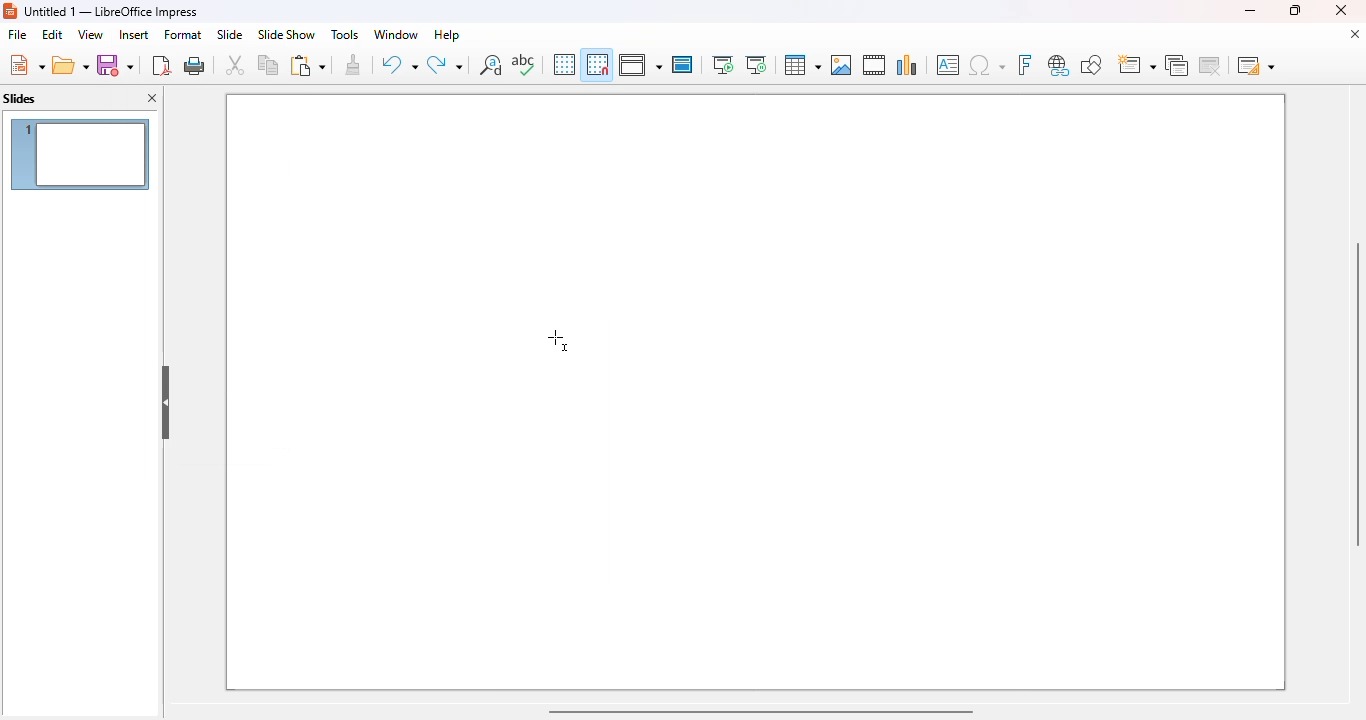 The height and width of the screenshot is (720, 1366). I want to click on insert text box, so click(948, 65).